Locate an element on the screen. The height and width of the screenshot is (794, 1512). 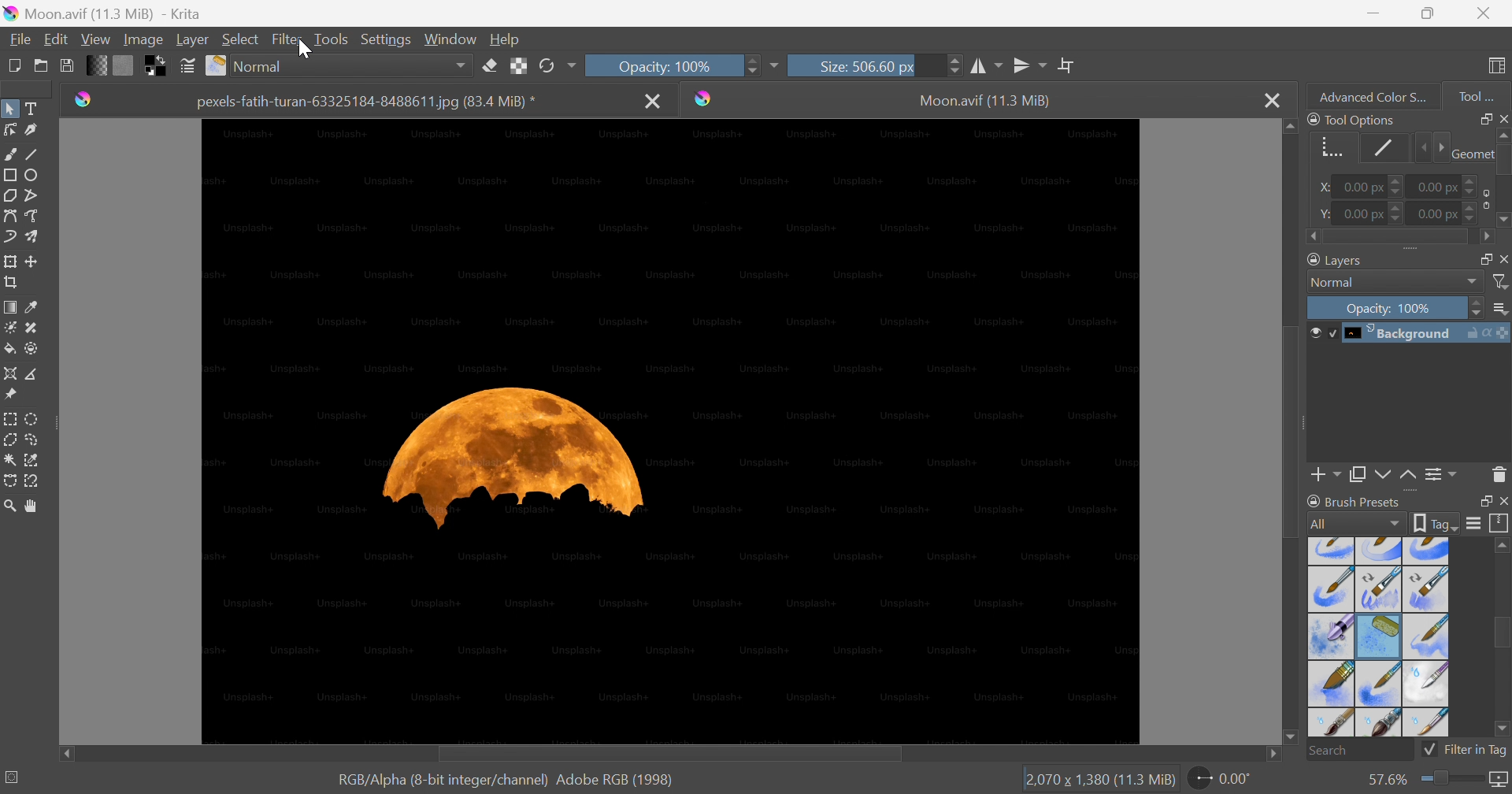
Move layer or mask up is located at coordinates (1410, 477).